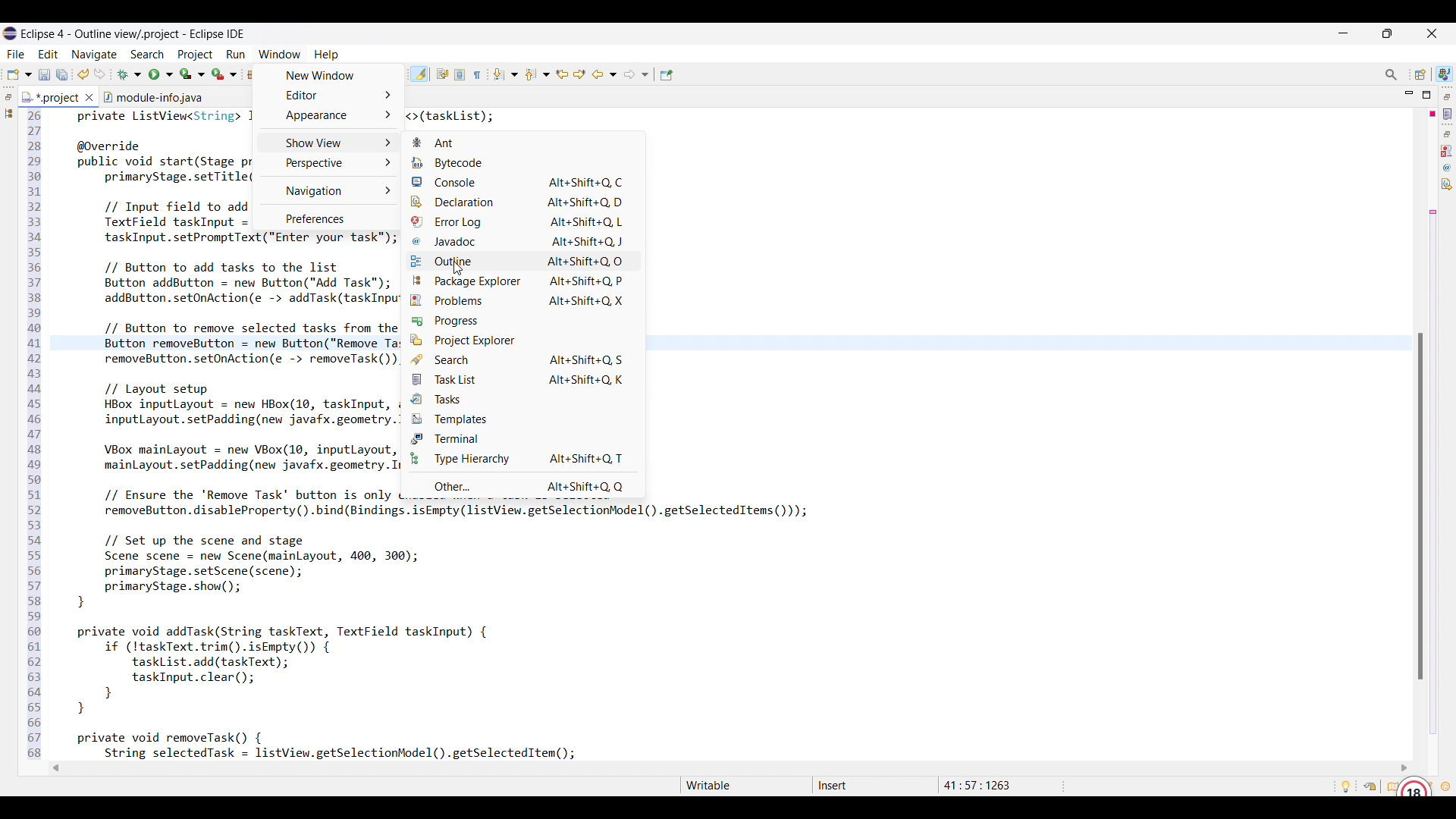 The image size is (1456, 819). Describe the element at coordinates (224, 74) in the screenshot. I see `Run last tool options` at that location.